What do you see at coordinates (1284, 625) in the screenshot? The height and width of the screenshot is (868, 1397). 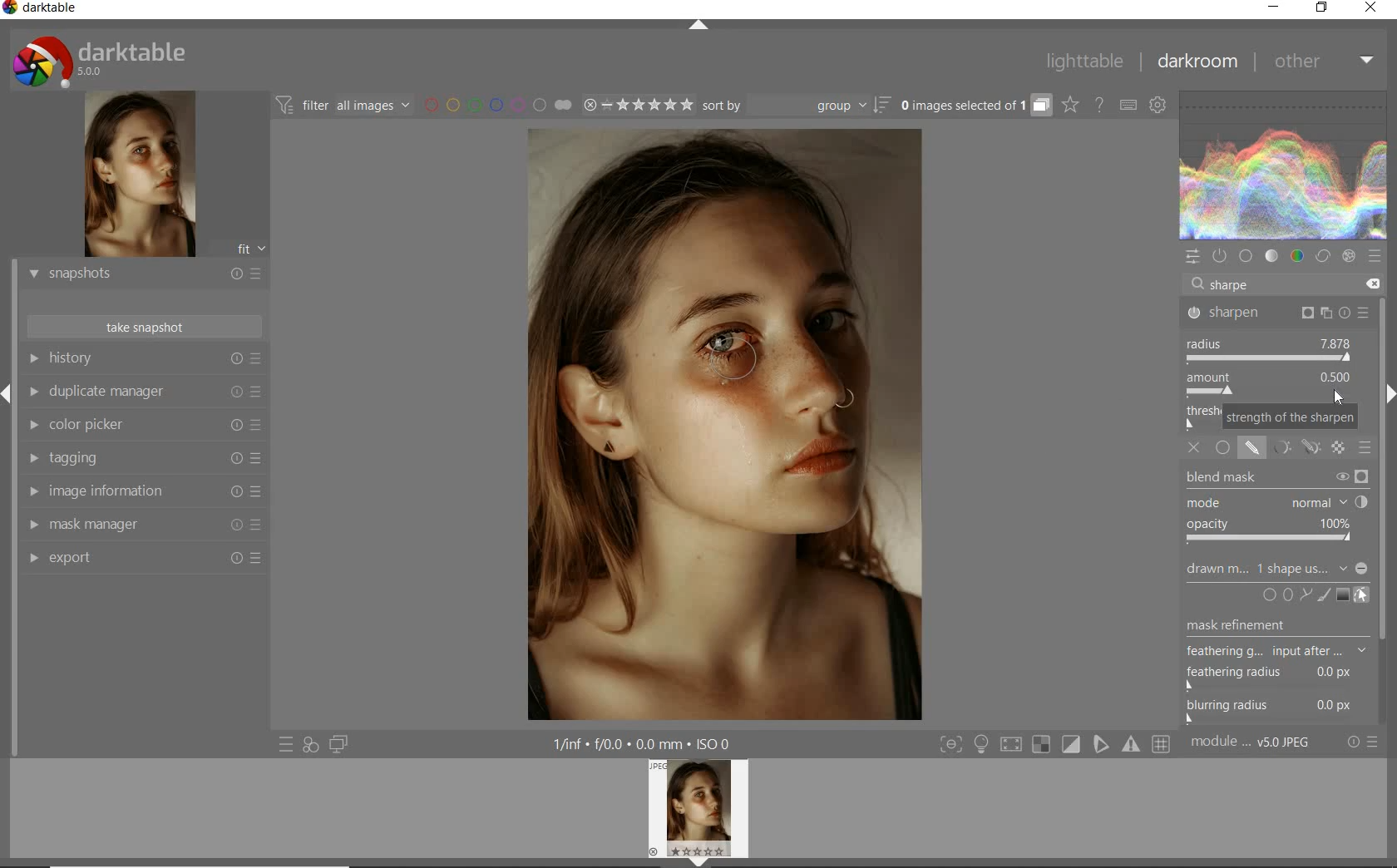 I see `MASK REFINEMENT` at bounding box center [1284, 625].